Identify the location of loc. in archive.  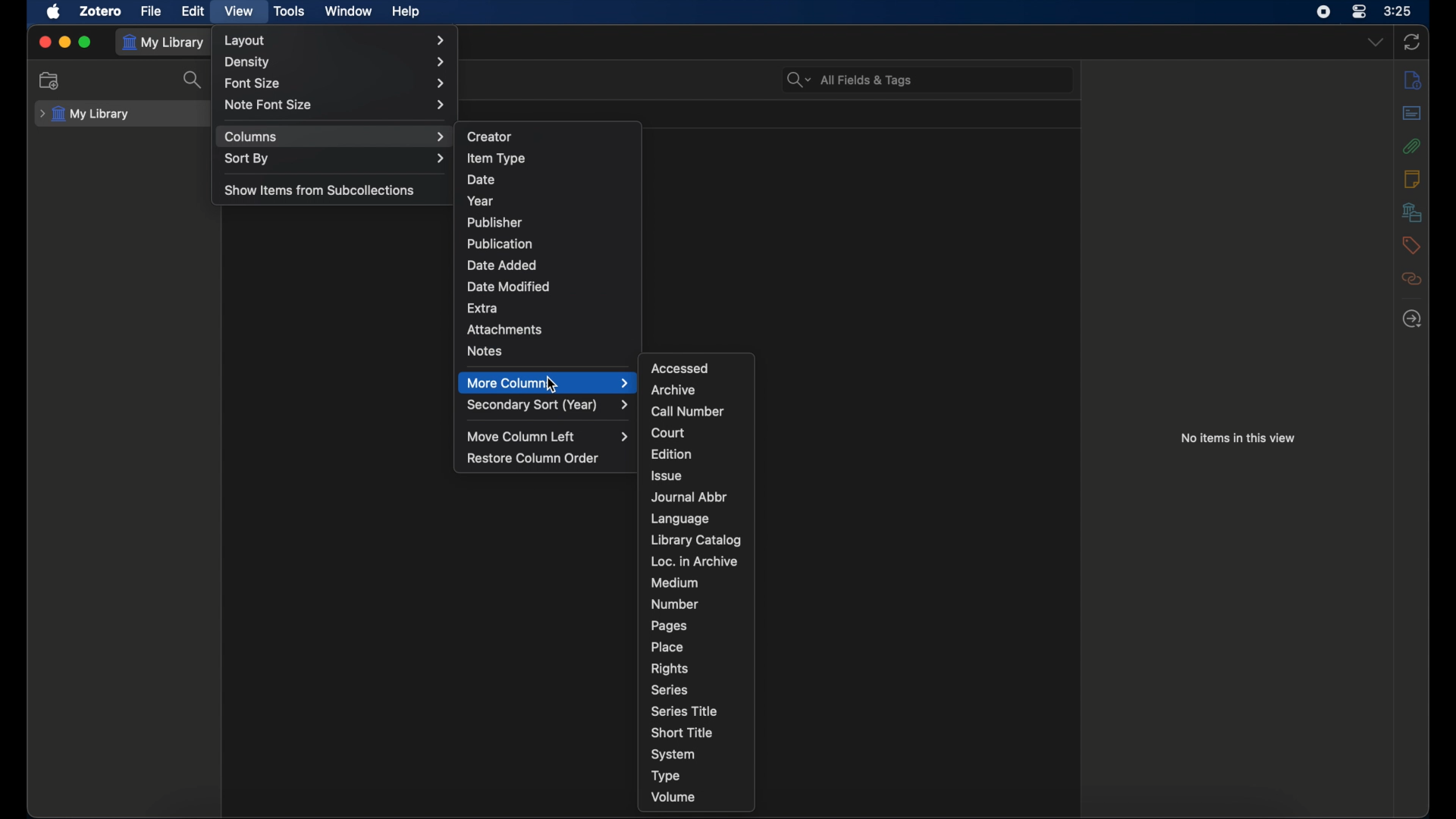
(693, 562).